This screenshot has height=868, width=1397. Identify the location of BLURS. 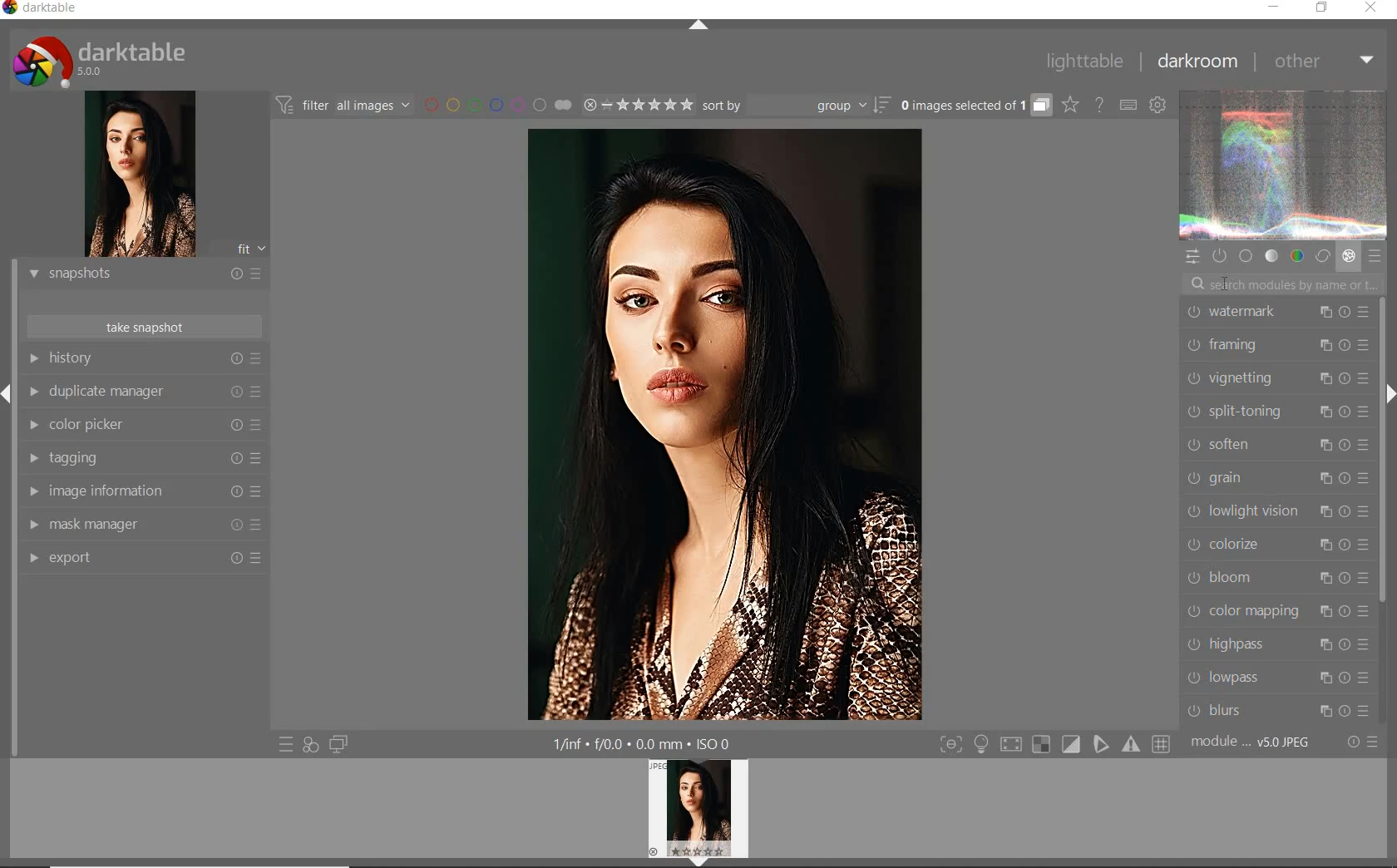
(1281, 710).